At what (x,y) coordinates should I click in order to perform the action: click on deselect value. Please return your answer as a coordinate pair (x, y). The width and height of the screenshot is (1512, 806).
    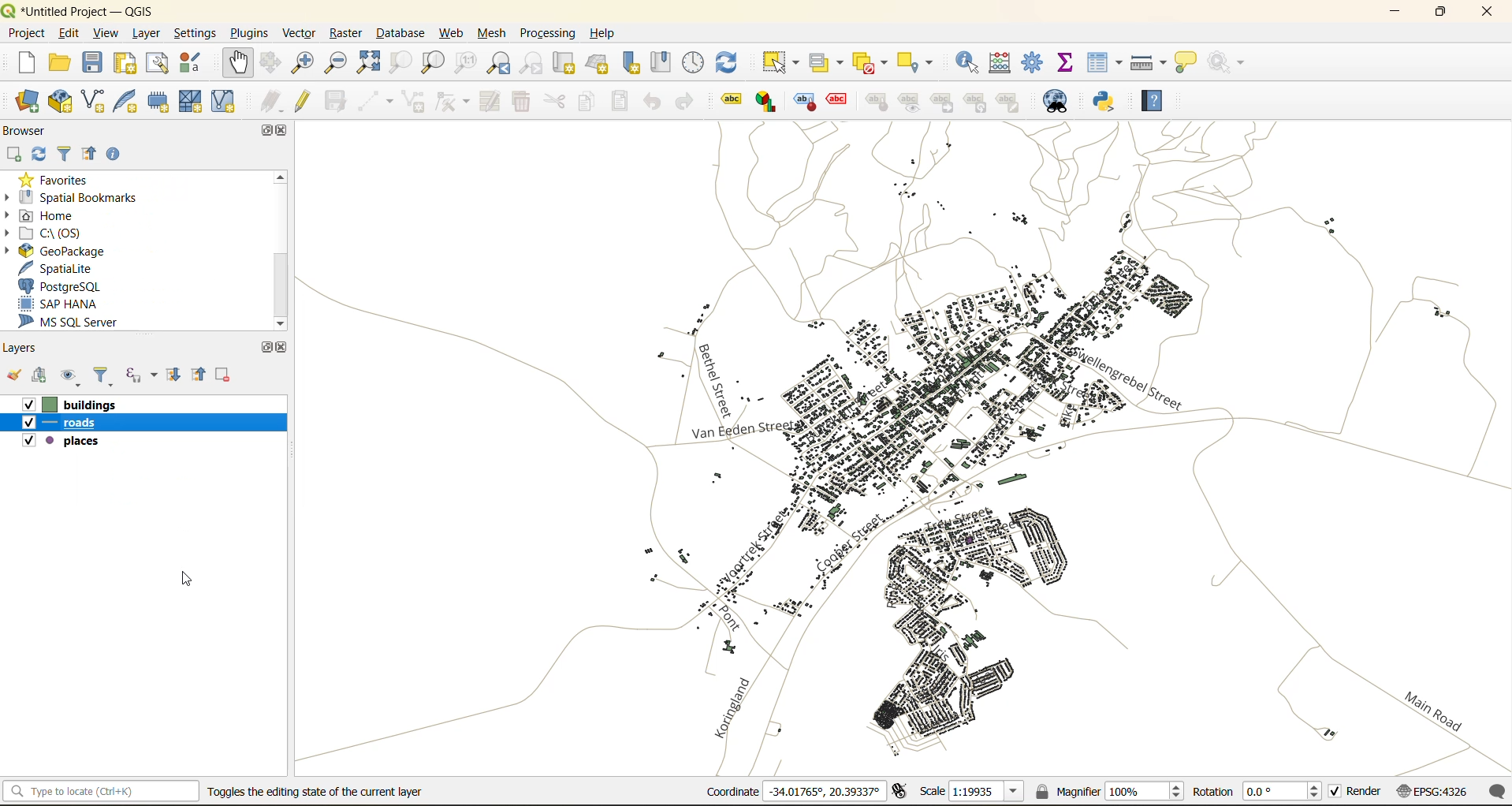
    Looking at the image, I should click on (873, 64).